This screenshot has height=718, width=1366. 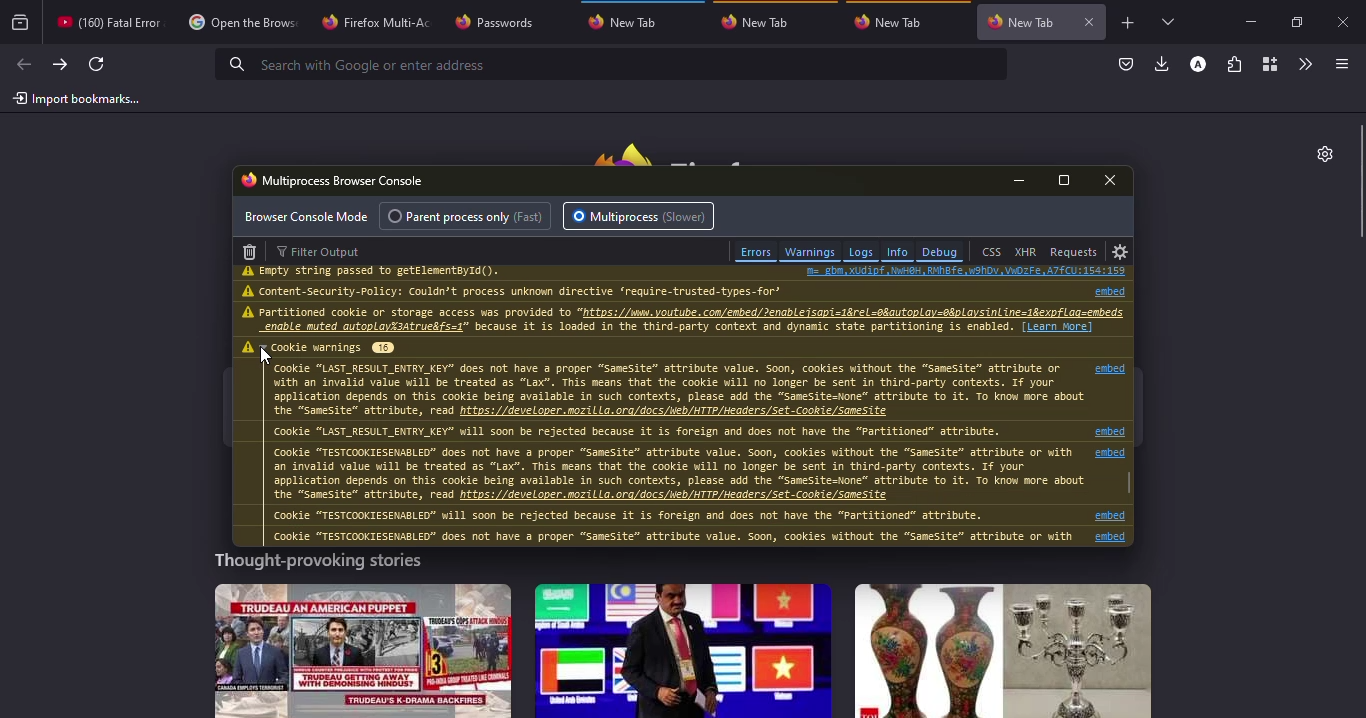 What do you see at coordinates (307, 216) in the screenshot?
I see `browser console mode` at bounding box center [307, 216].